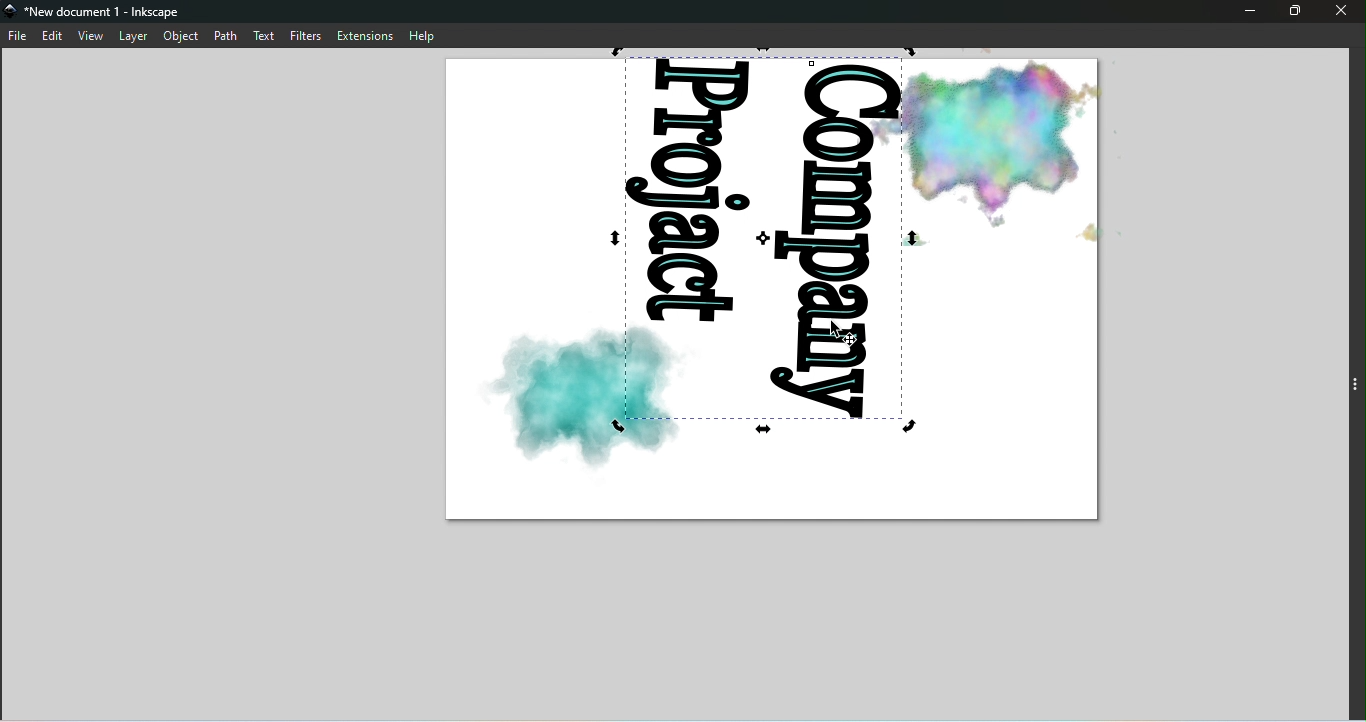 Image resolution: width=1366 pixels, height=722 pixels. Describe the element at coordinates (1293, 11) in the screenshot. I see `Maximize` at that location.